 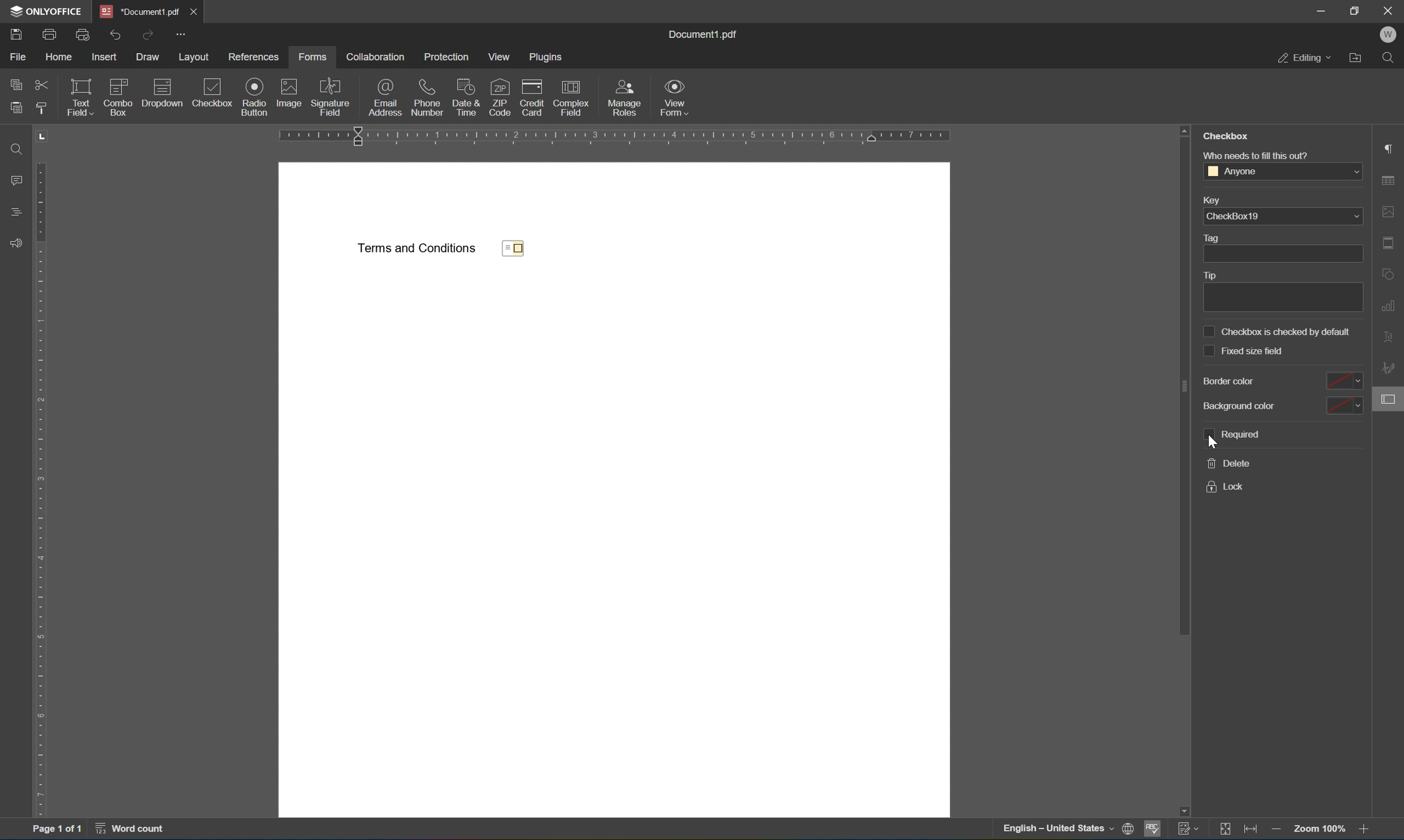 What do you see at coordinates (1359, 10) in the screenshot?
I see `restore down` at bounding box center [1359, 10].